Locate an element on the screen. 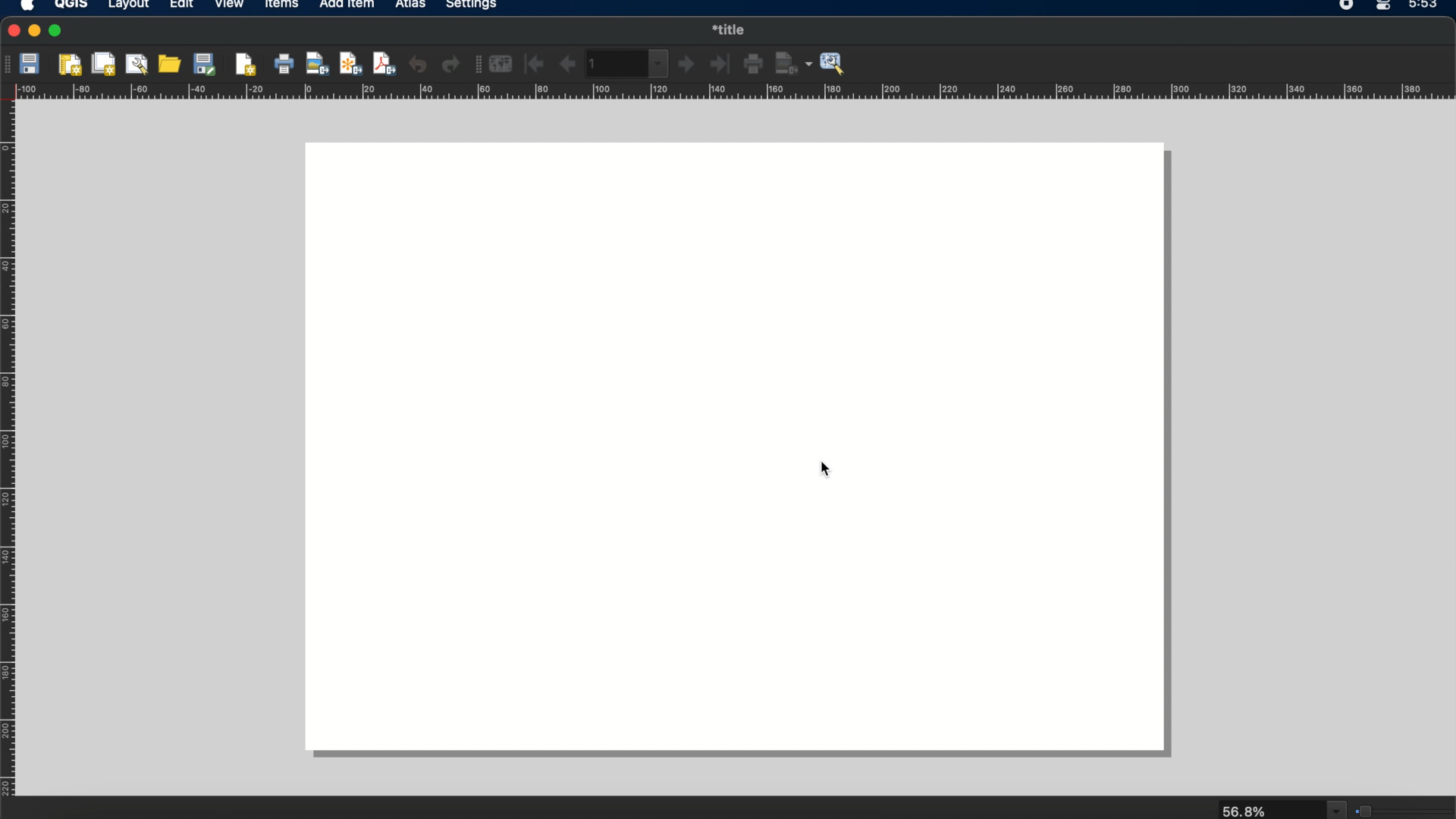 This screenshot has height=819, width=1456. zoom Lebel is located at coordinates (1282, 809).